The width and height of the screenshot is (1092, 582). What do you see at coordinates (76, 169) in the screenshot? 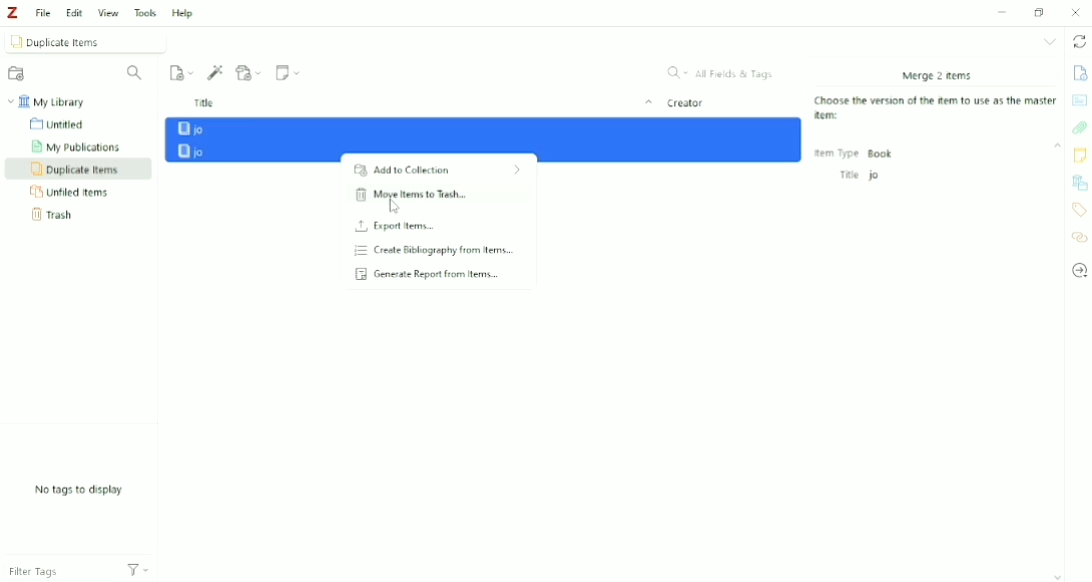
I see `Duplicate Items` at bounding box center [76, 169].